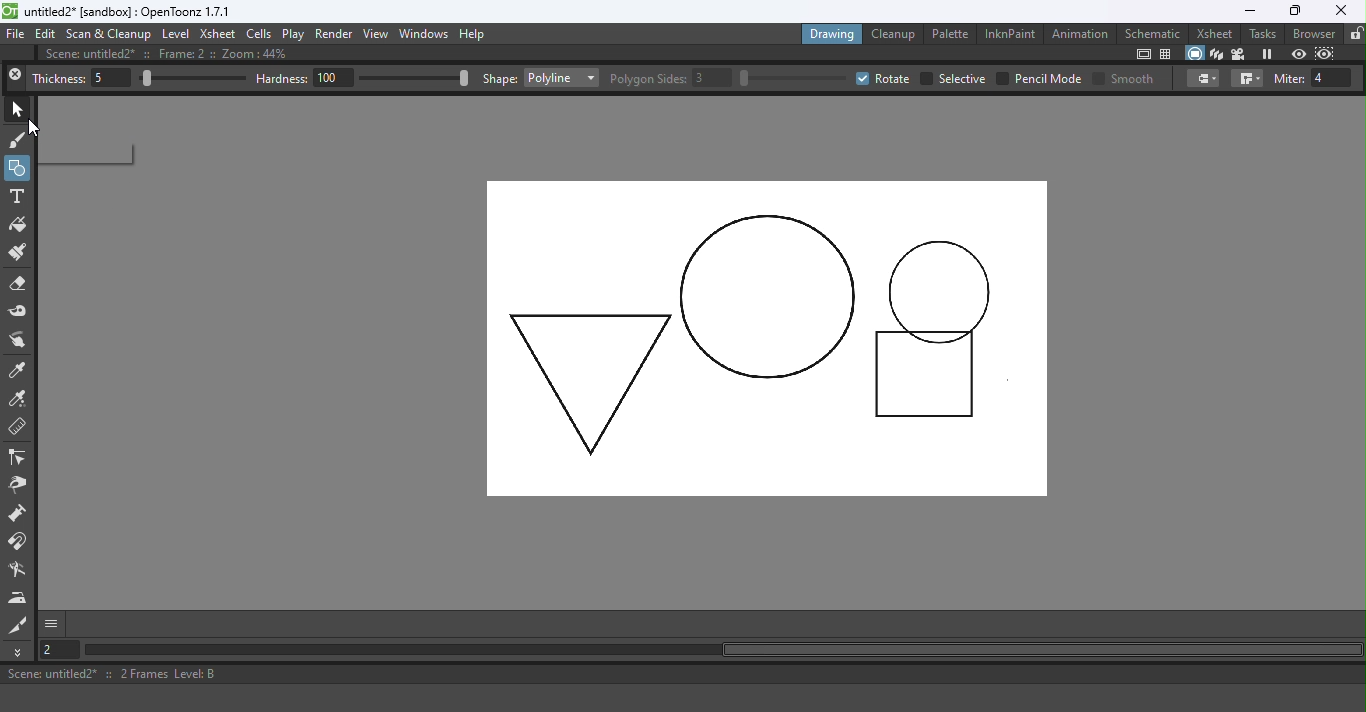 This screenshot has height=712, width=1366. Describe the element at coordinates (175, 35) in the screenshot. I see `Level` at that location.